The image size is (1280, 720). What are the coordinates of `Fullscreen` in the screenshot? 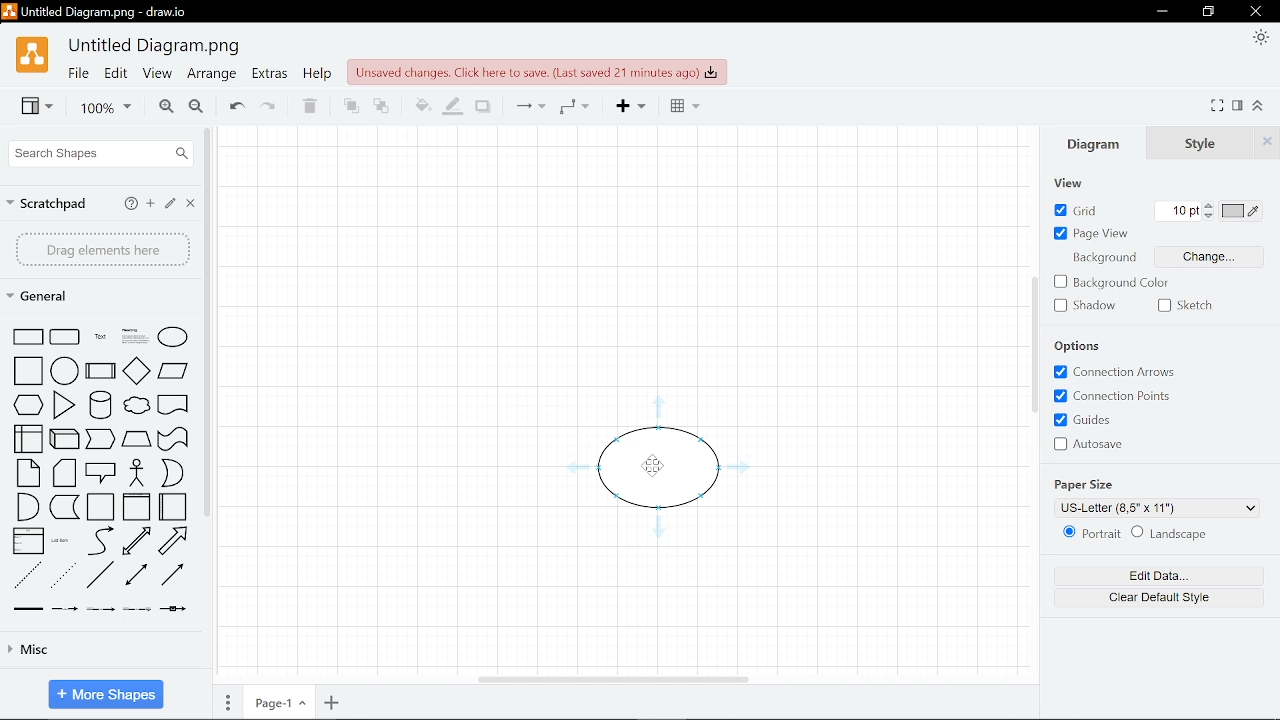 It's located at (1219, 105).